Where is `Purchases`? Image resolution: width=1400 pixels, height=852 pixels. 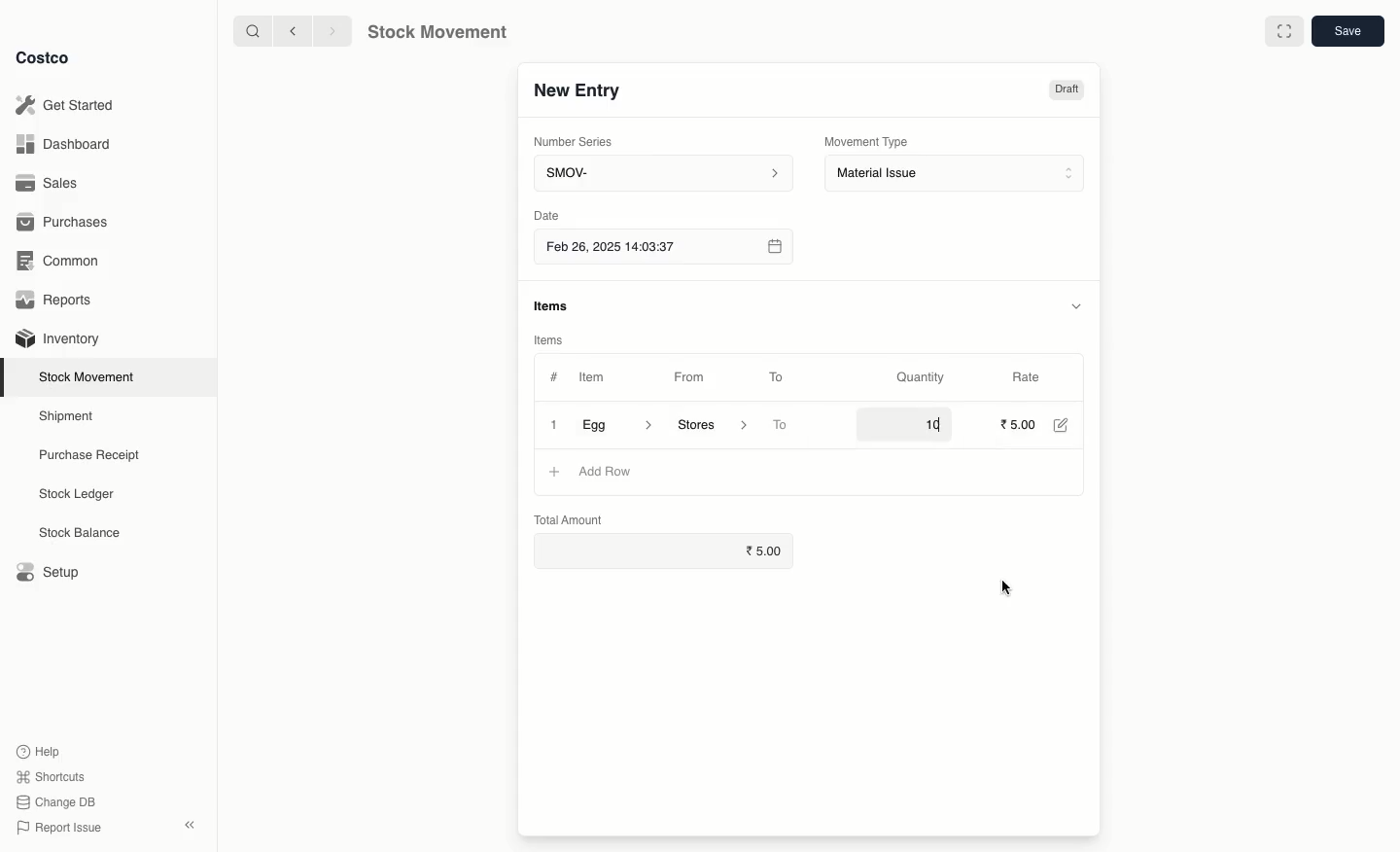
Purchases is located at coordinates (66, 224).